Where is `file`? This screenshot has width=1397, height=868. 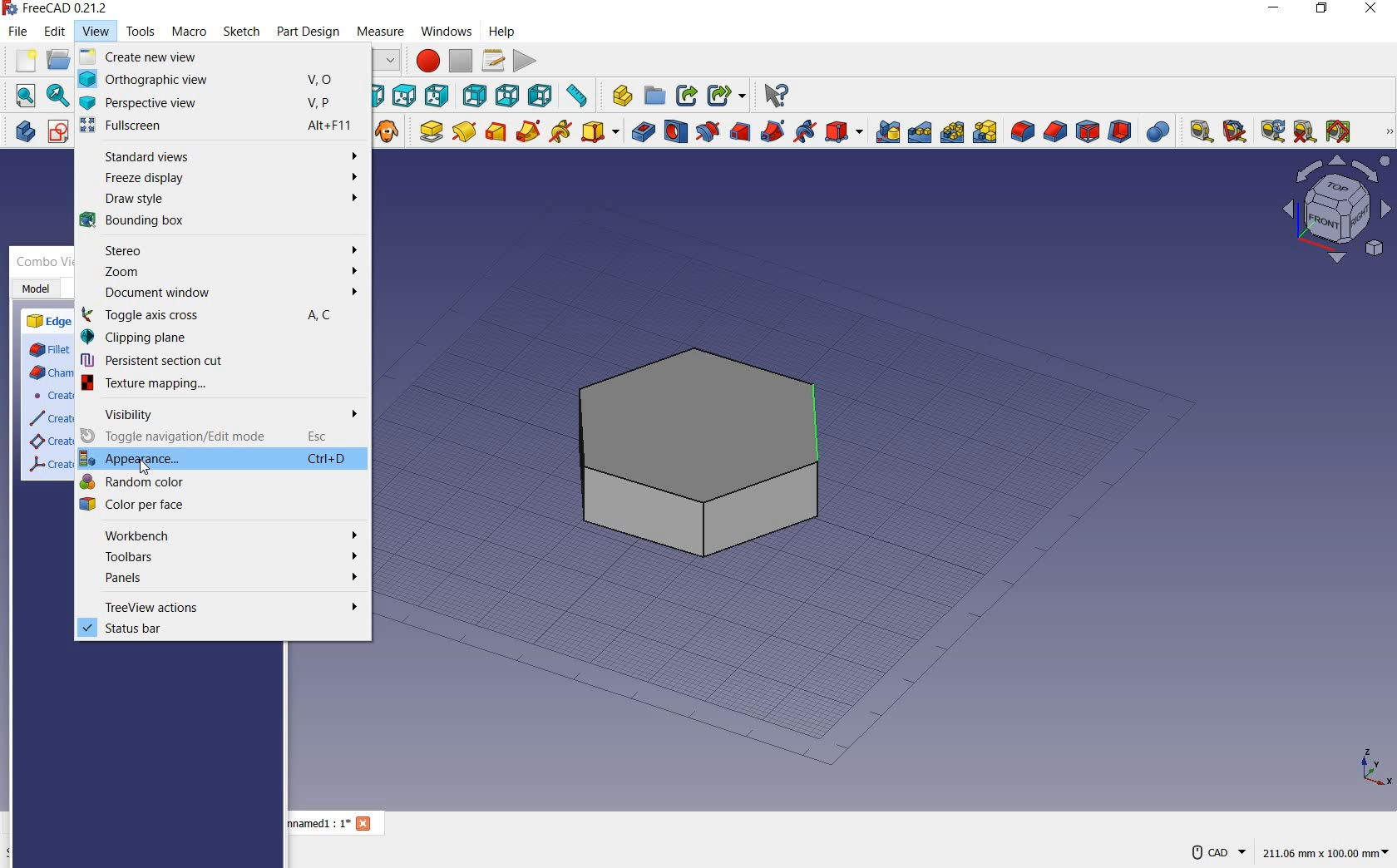
file is located at coordinates (16, 33).